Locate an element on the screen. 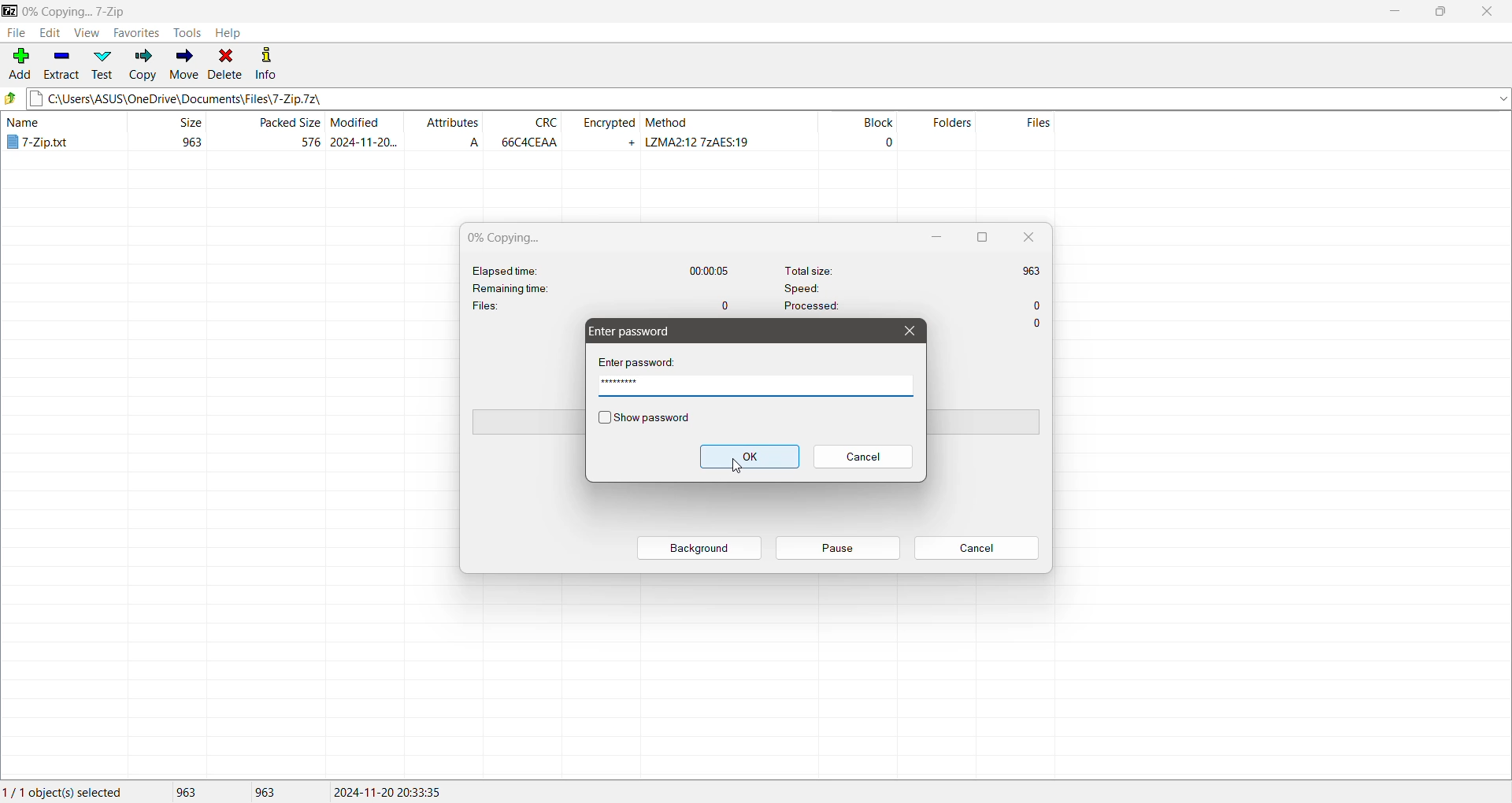  View is located at coordinates (86, 32).